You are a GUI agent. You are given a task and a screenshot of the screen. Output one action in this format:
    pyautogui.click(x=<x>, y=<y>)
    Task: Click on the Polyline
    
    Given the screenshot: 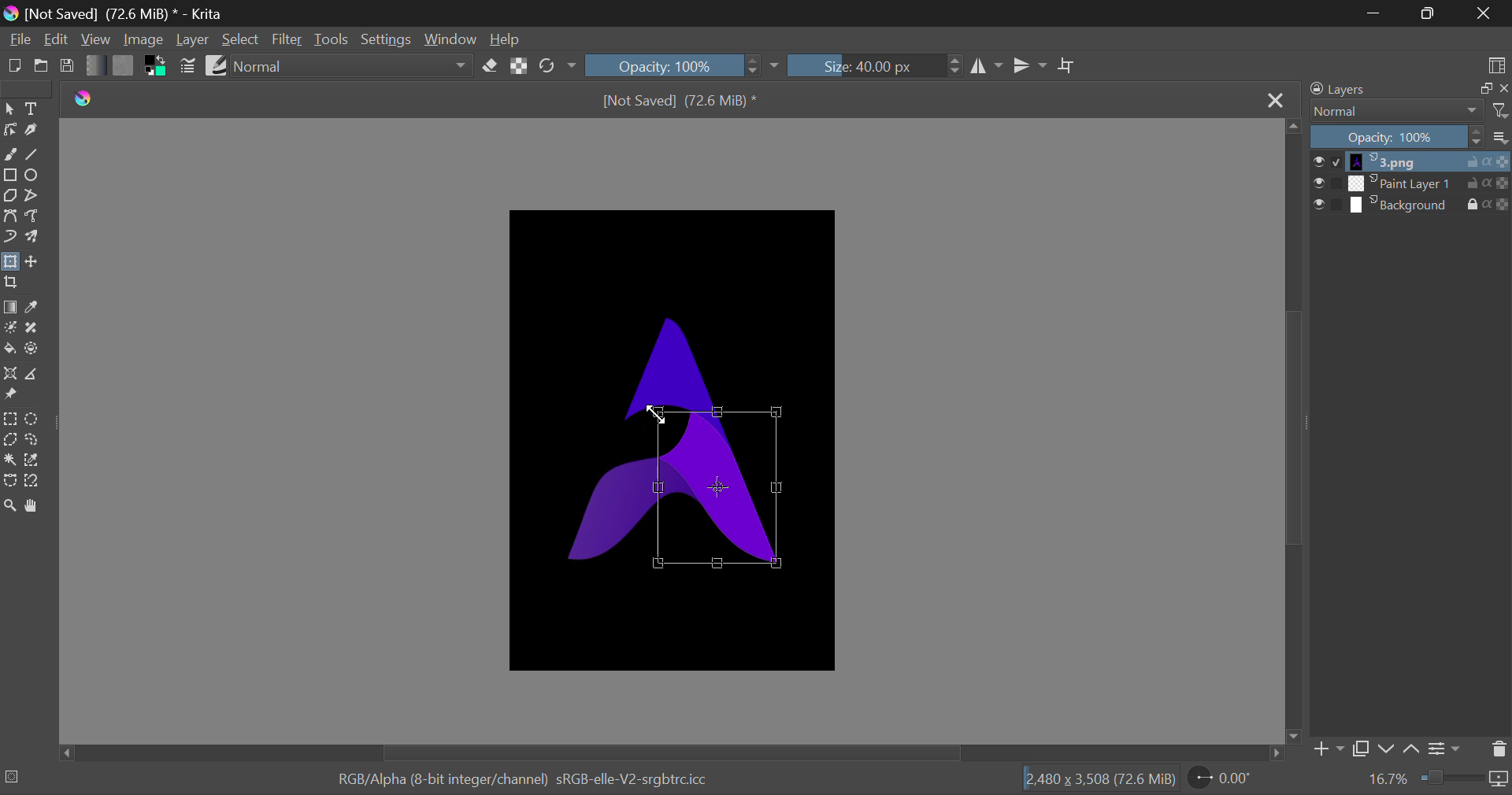 What is the action you would take?
    pyautogui.click(x=37, y=195)
    